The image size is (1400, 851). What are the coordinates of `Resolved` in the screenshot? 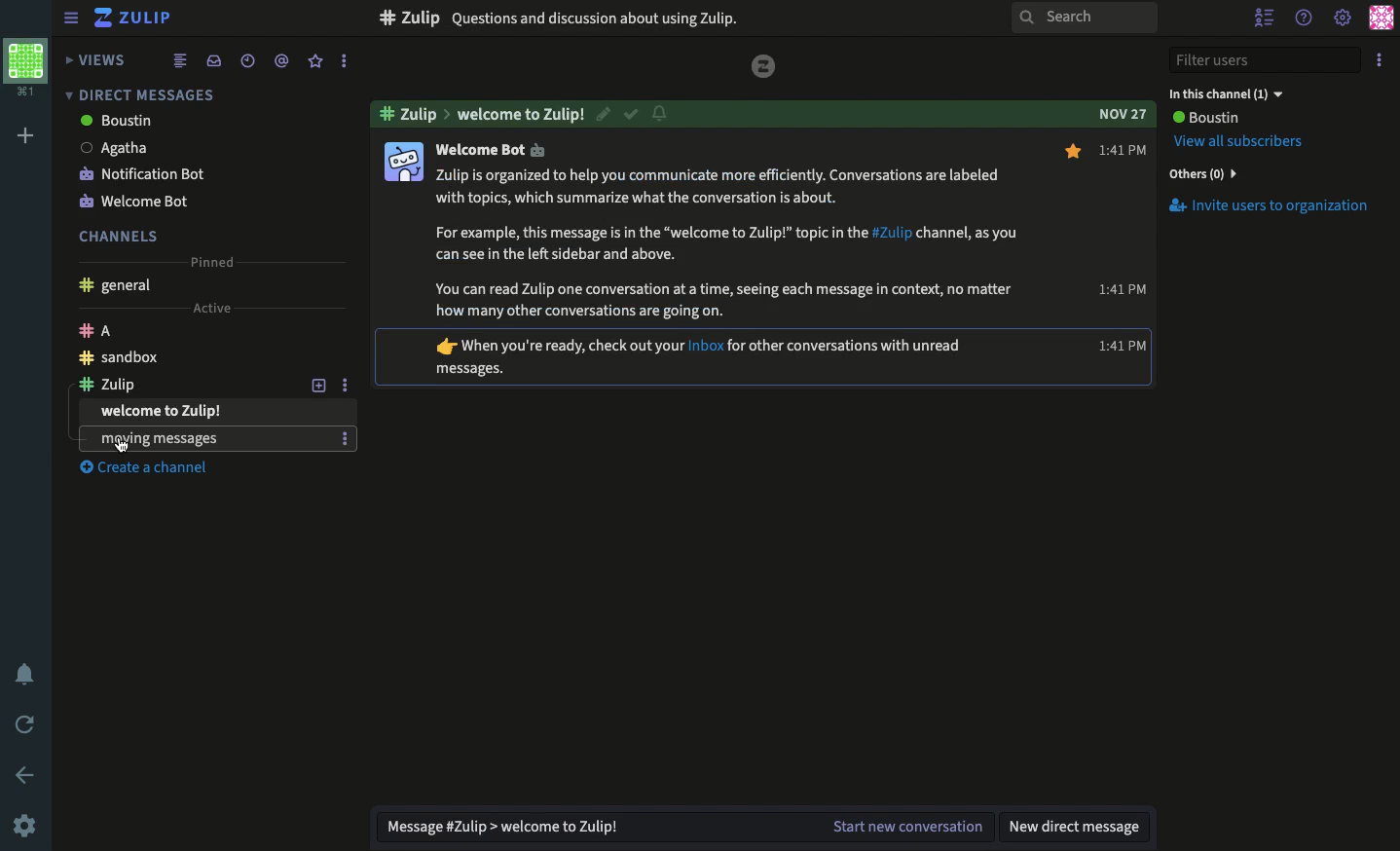 It's located at (630, 113).